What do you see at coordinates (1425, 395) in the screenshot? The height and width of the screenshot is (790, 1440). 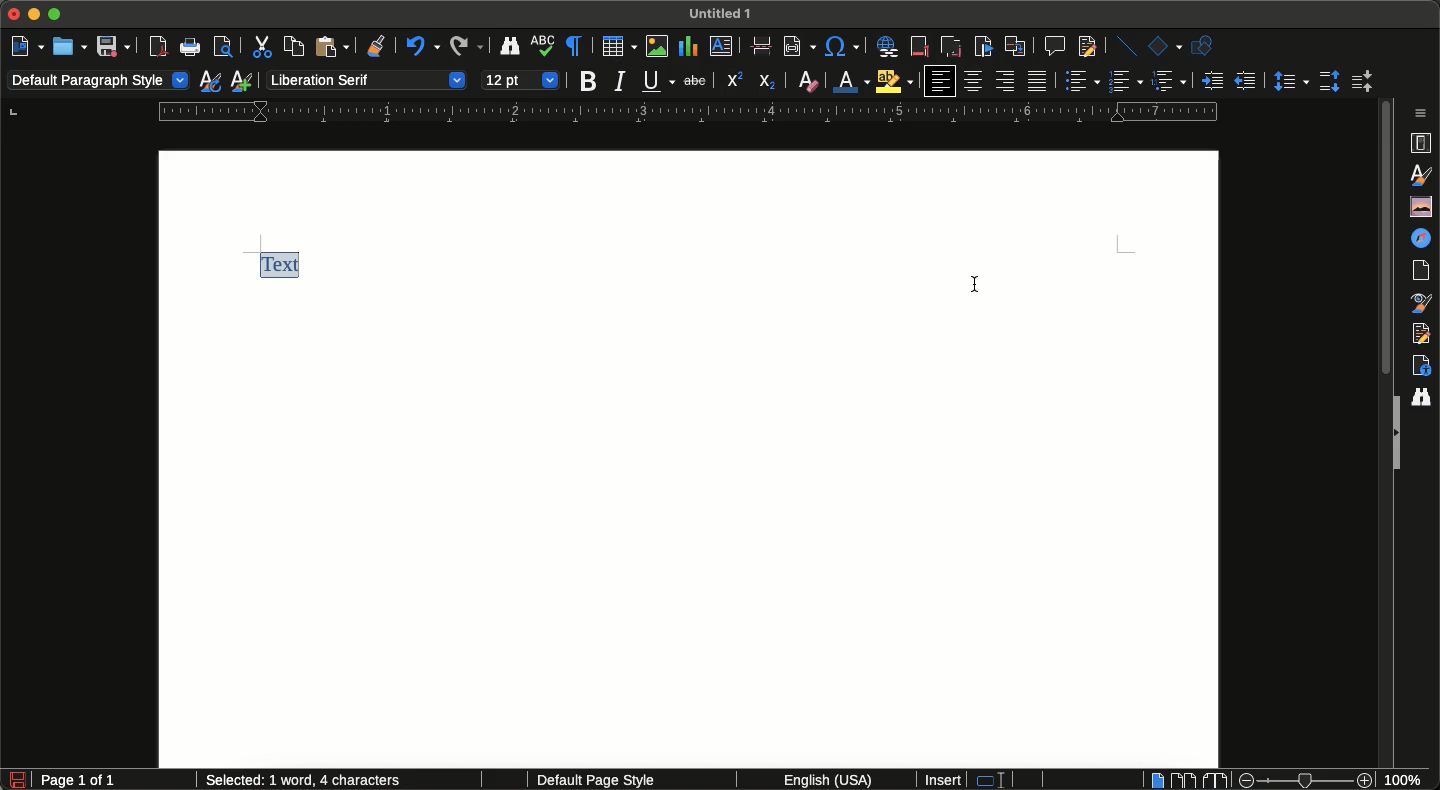 I see `Find` at bounding box center [1425, 395].